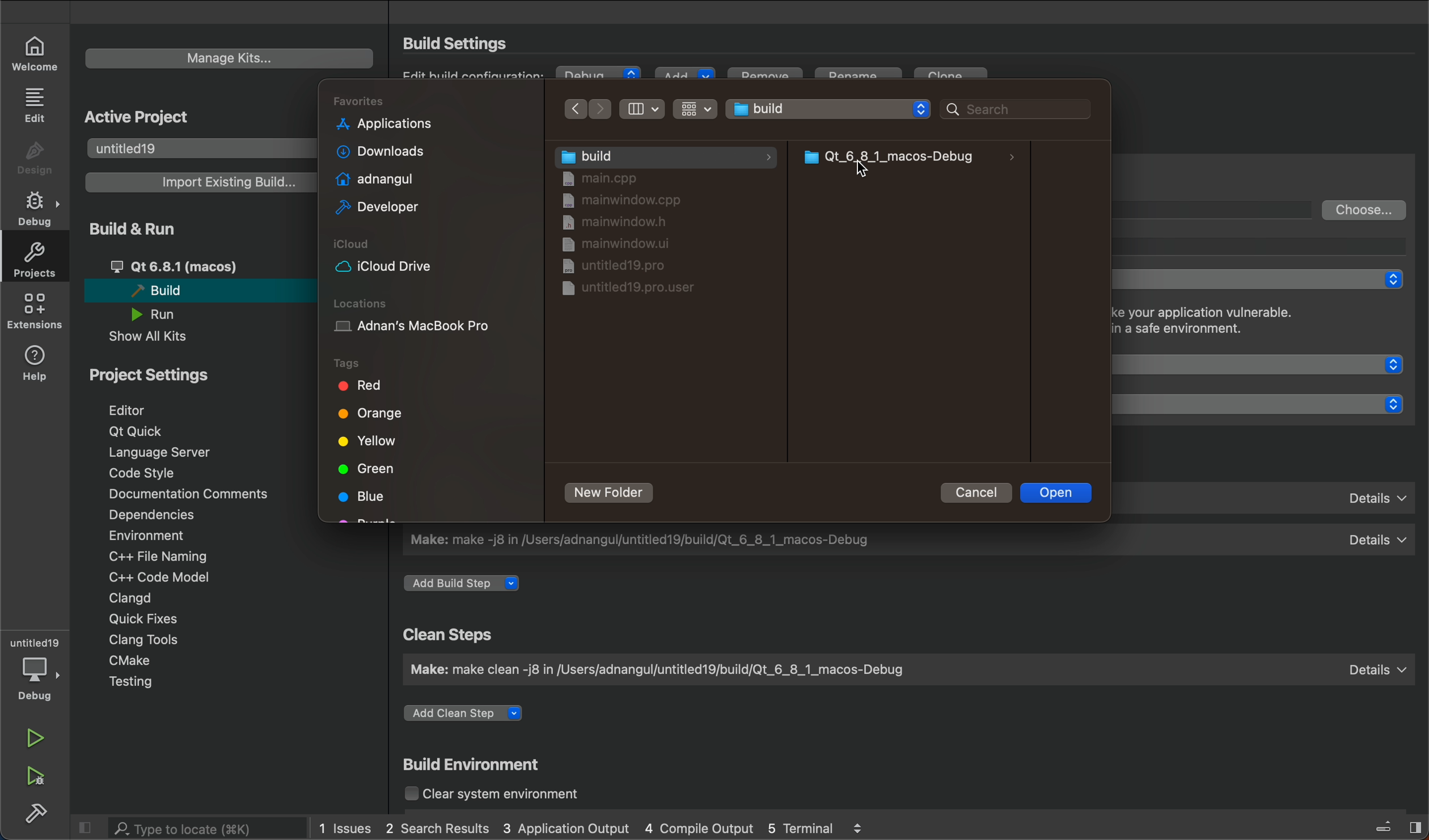  I want to click on build and run, so click(145, 228).